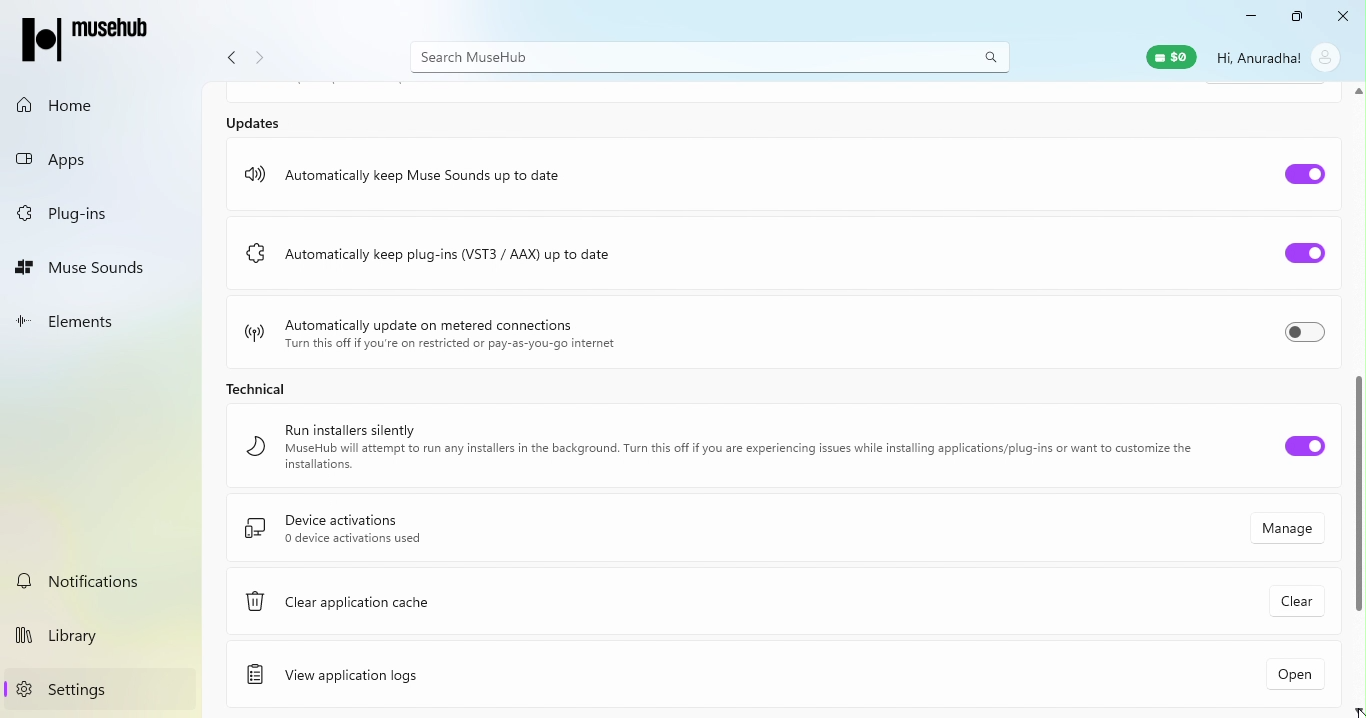  What do you see at coordinates (439, 674) in the screenshot?
I see `View application logs` at bounding box center [439, 674].